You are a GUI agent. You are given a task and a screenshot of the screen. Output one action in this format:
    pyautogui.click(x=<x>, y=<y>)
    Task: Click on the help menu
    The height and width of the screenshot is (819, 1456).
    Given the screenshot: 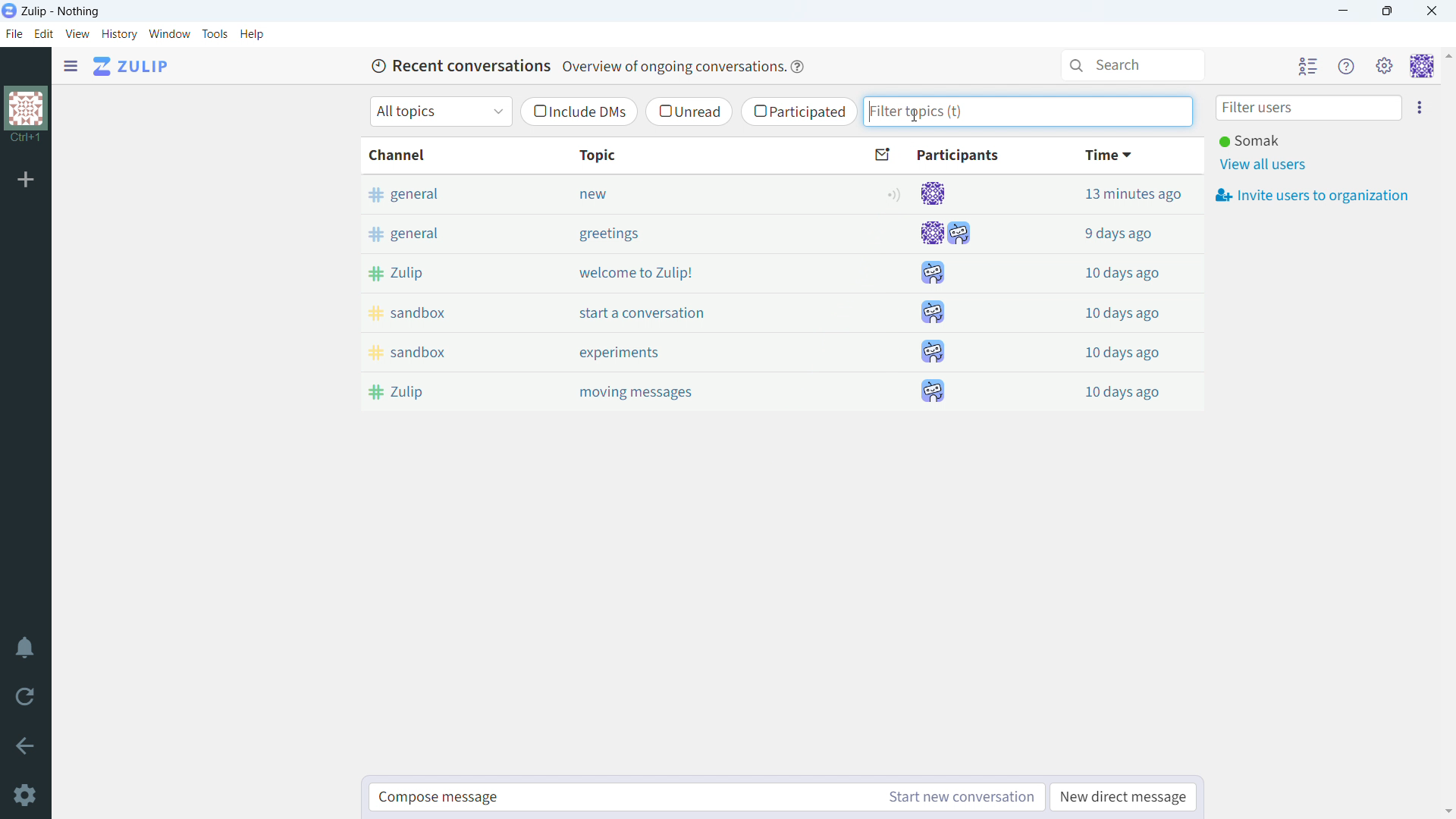 What is the action you would take?
    pyautogui.click(x=1348, y=67)
    